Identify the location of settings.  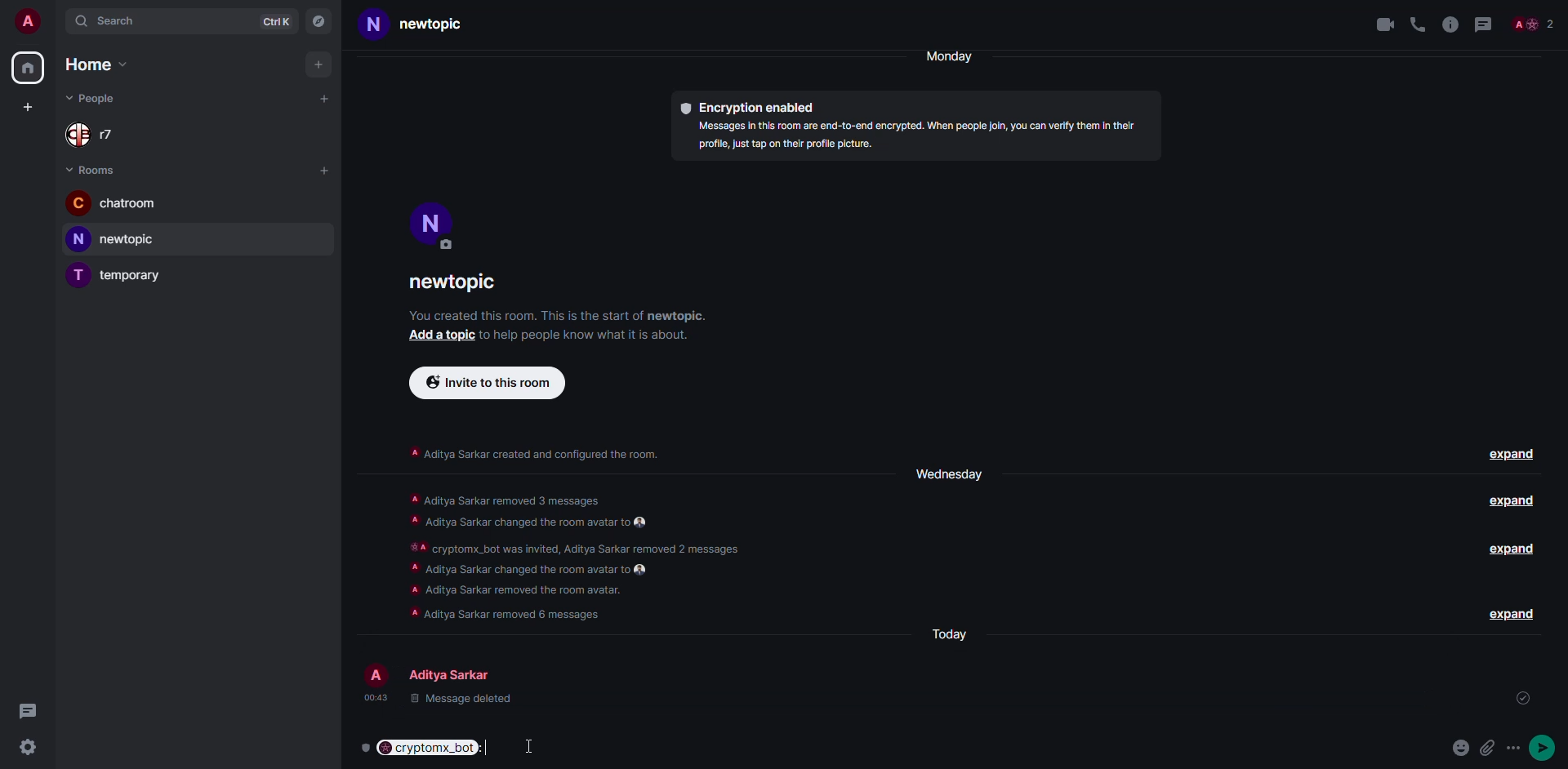
(27, 749).